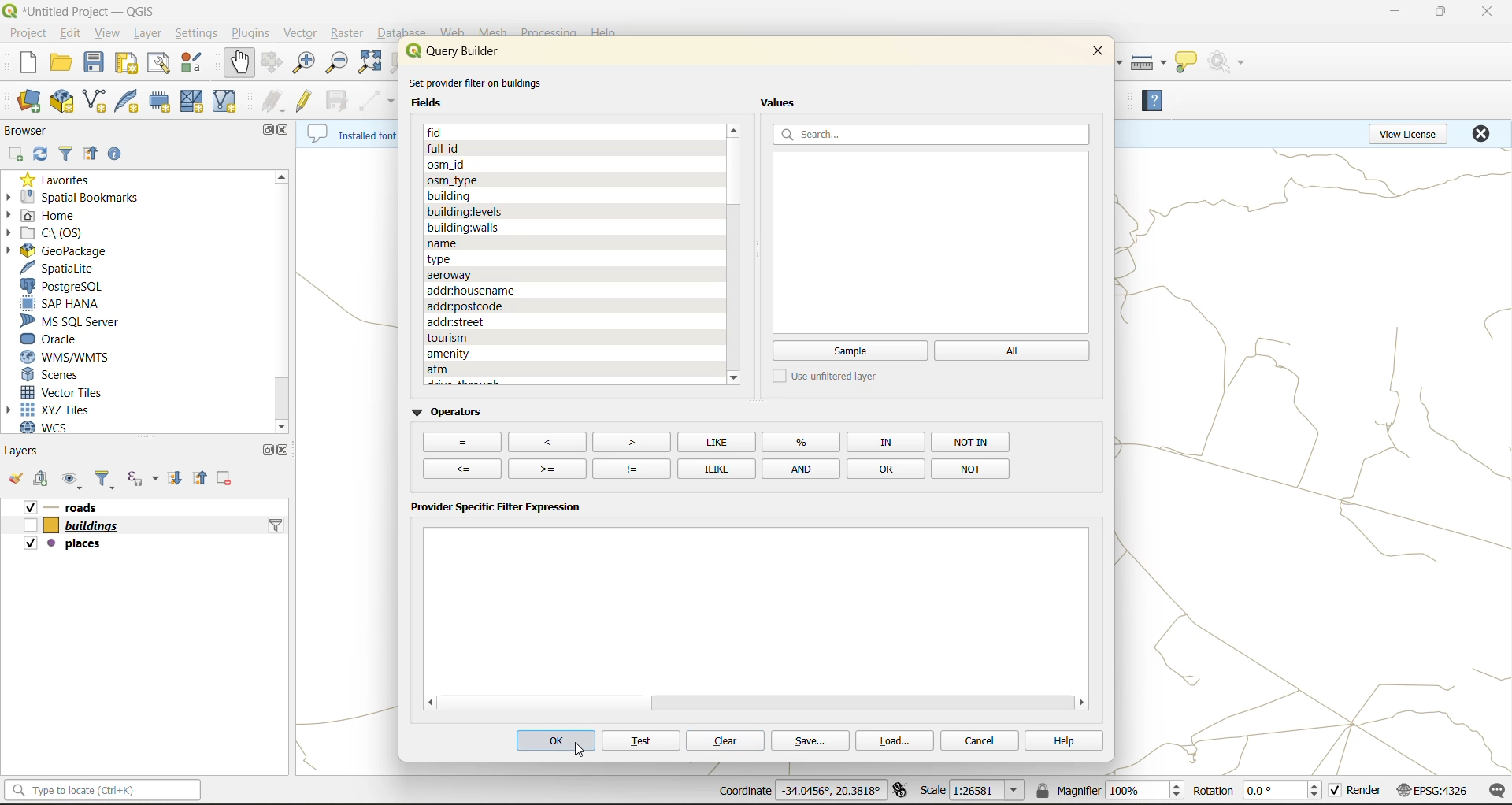 The width and height of the screenshot is (1512, 805). What do you see at coordinates (969, 467) in the screenshot?
I see `opertators` at bounding box center [969, 467].